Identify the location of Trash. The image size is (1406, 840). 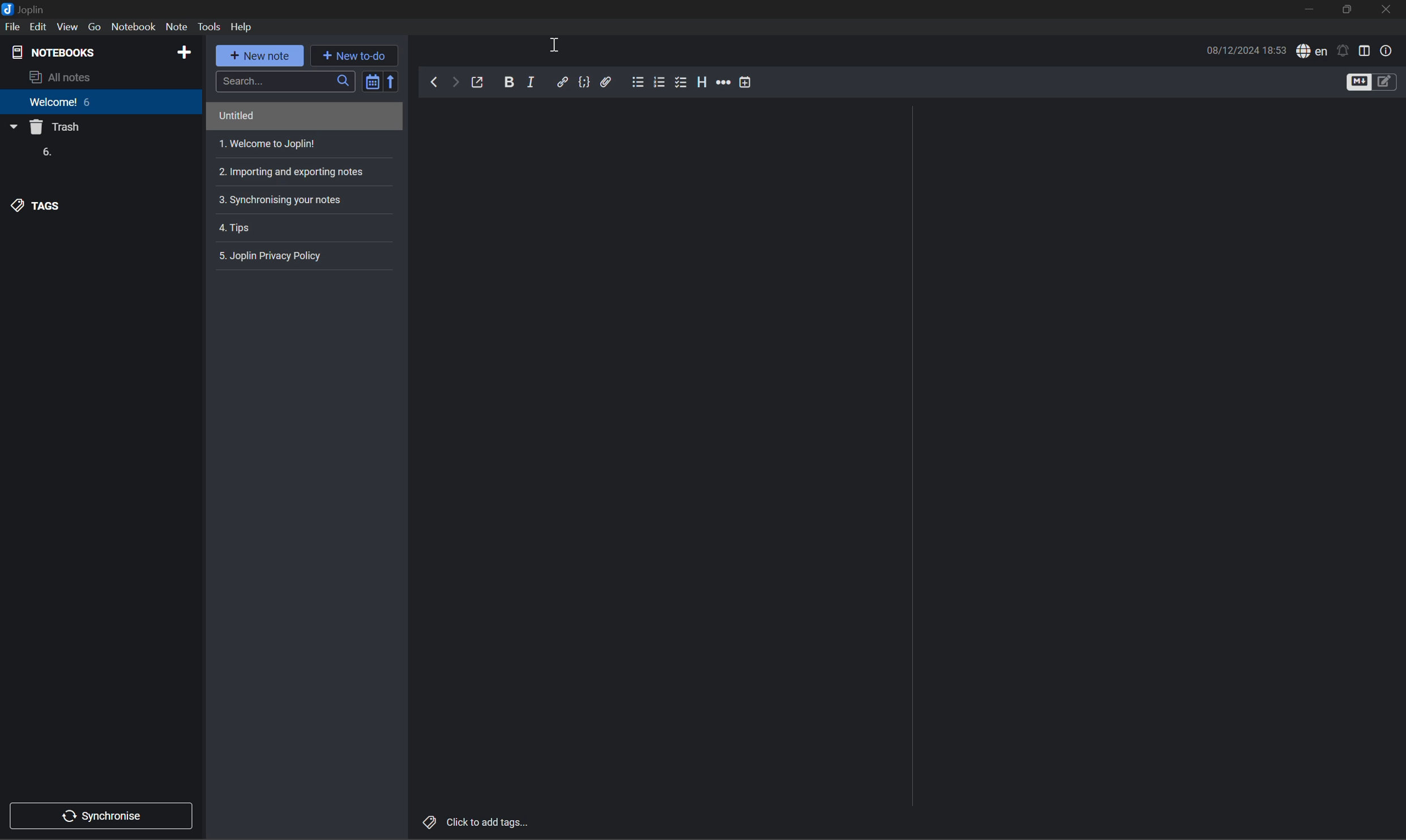
(57, 128).